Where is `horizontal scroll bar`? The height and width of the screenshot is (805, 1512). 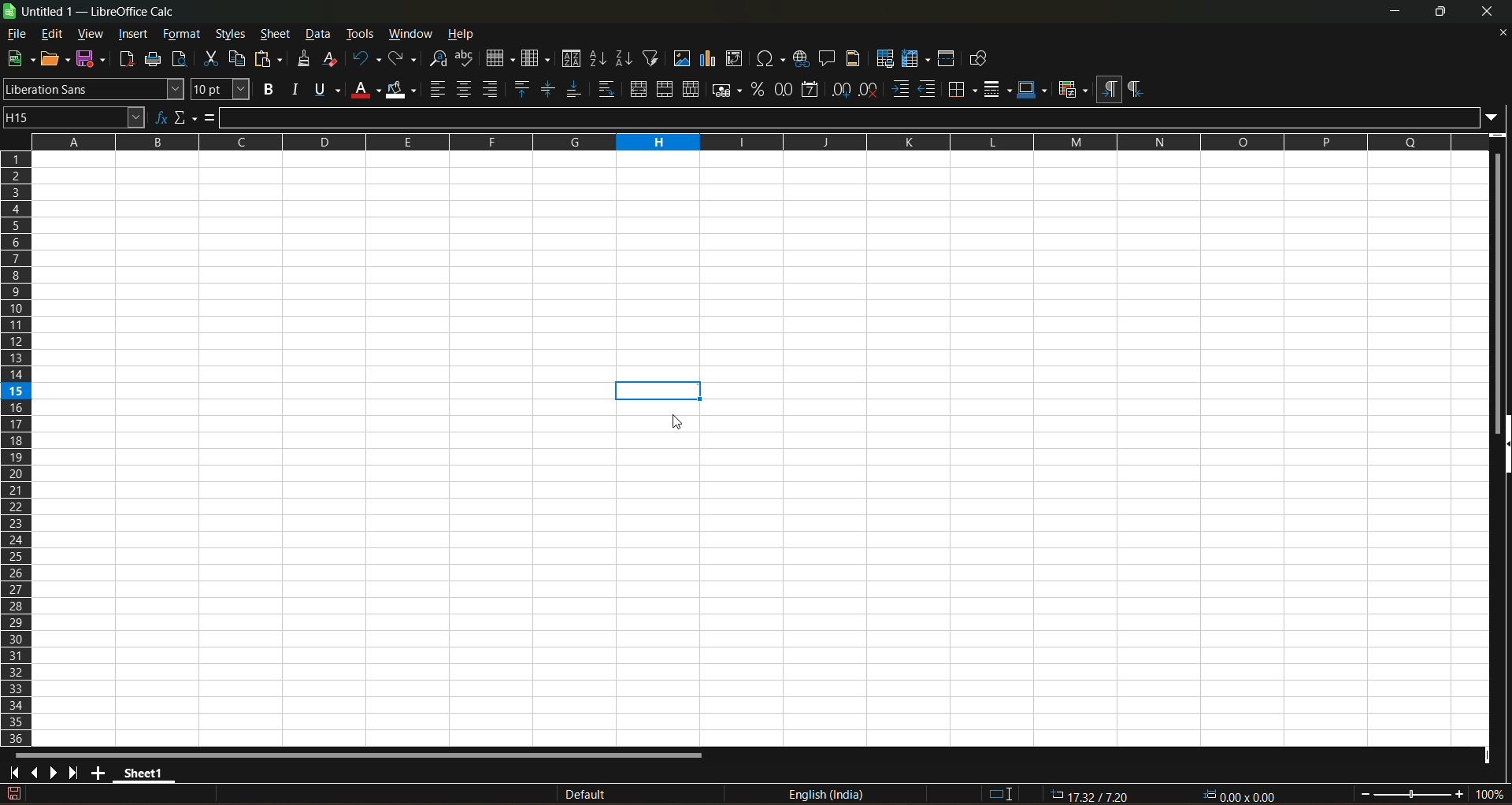 horizontal scroll bar is located at coordinates (361, 754).